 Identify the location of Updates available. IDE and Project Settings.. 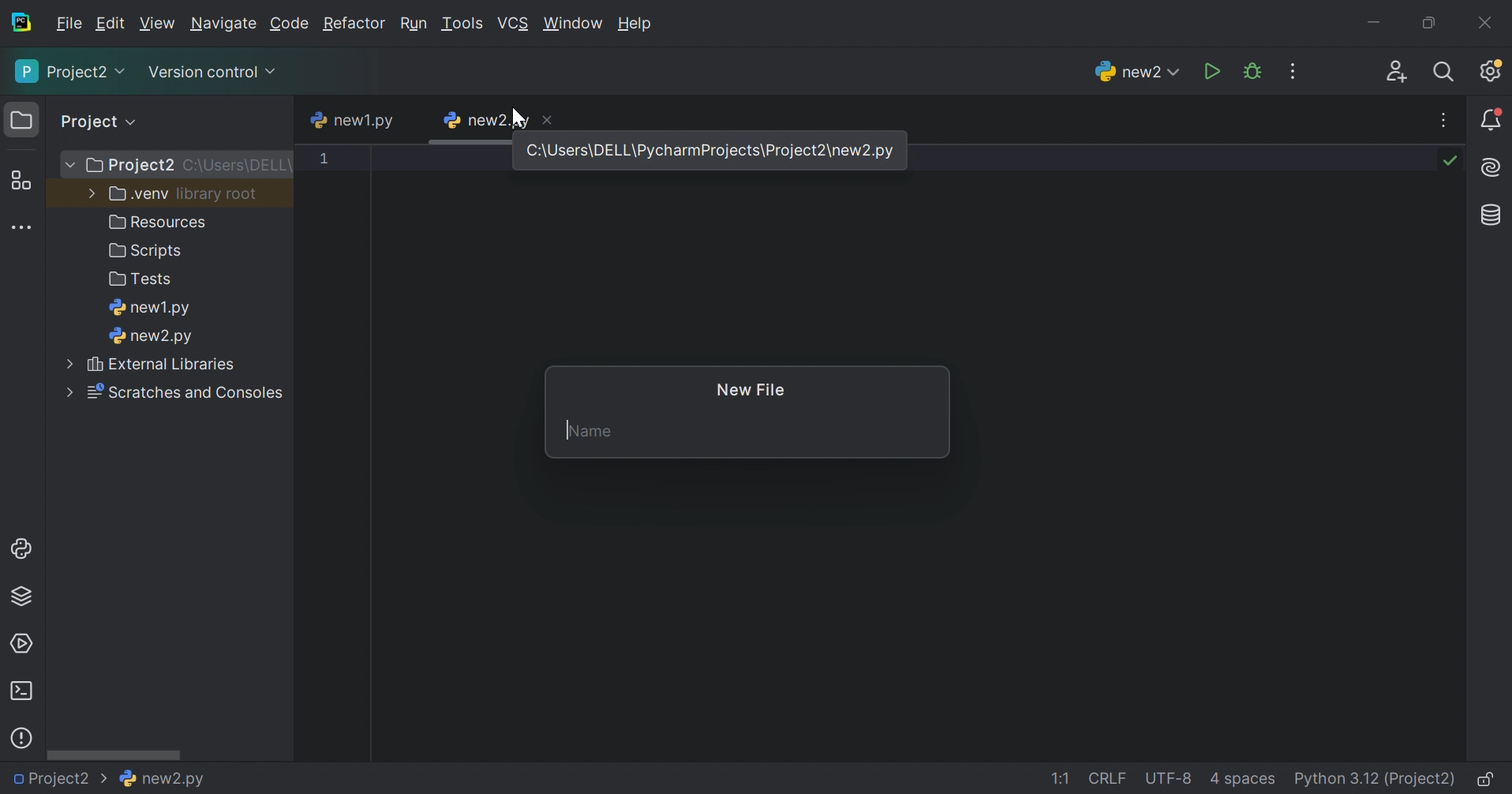
(1295, 71).